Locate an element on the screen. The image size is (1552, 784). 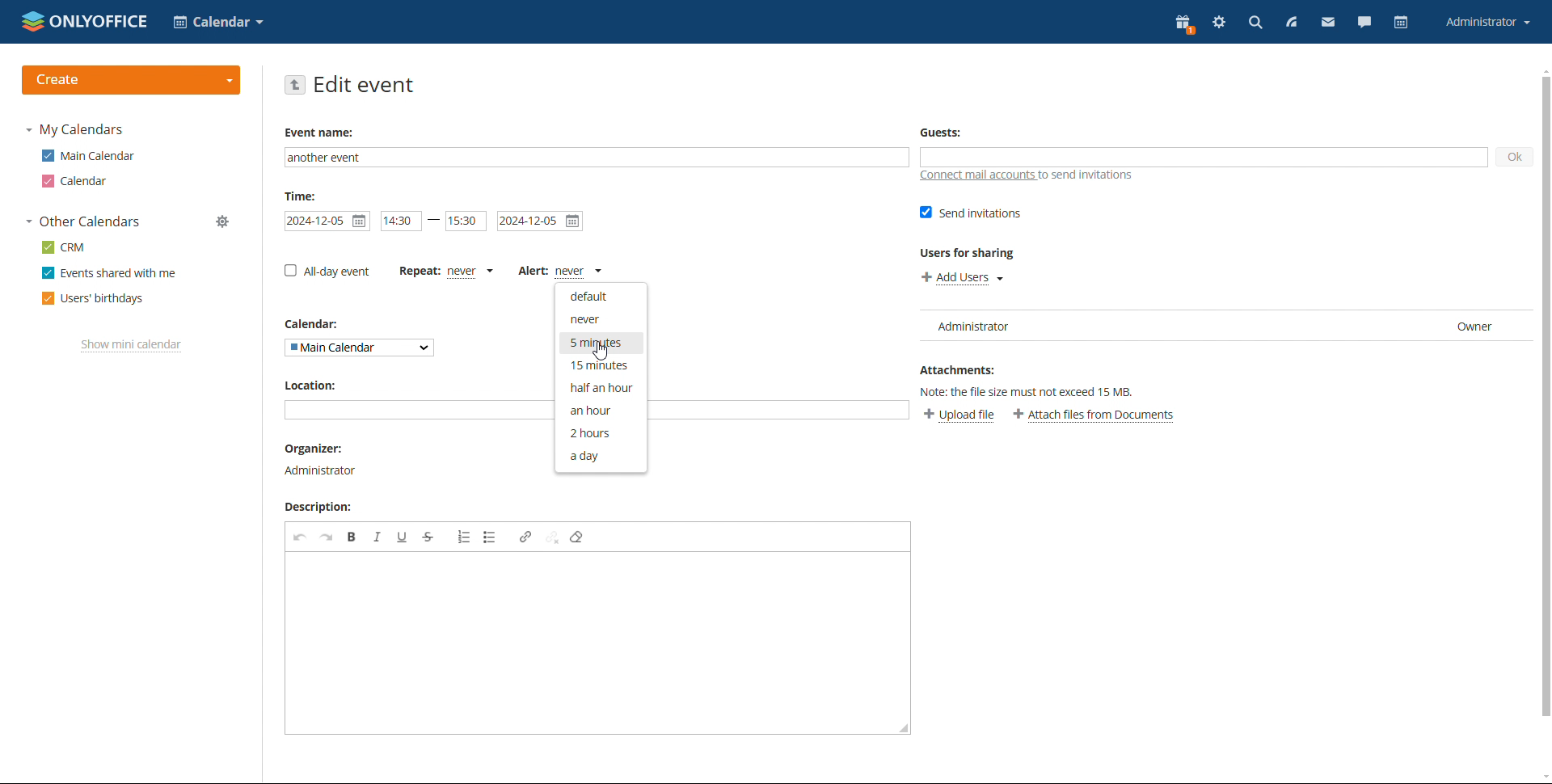
main calendar is located at coordinates (88, 156).